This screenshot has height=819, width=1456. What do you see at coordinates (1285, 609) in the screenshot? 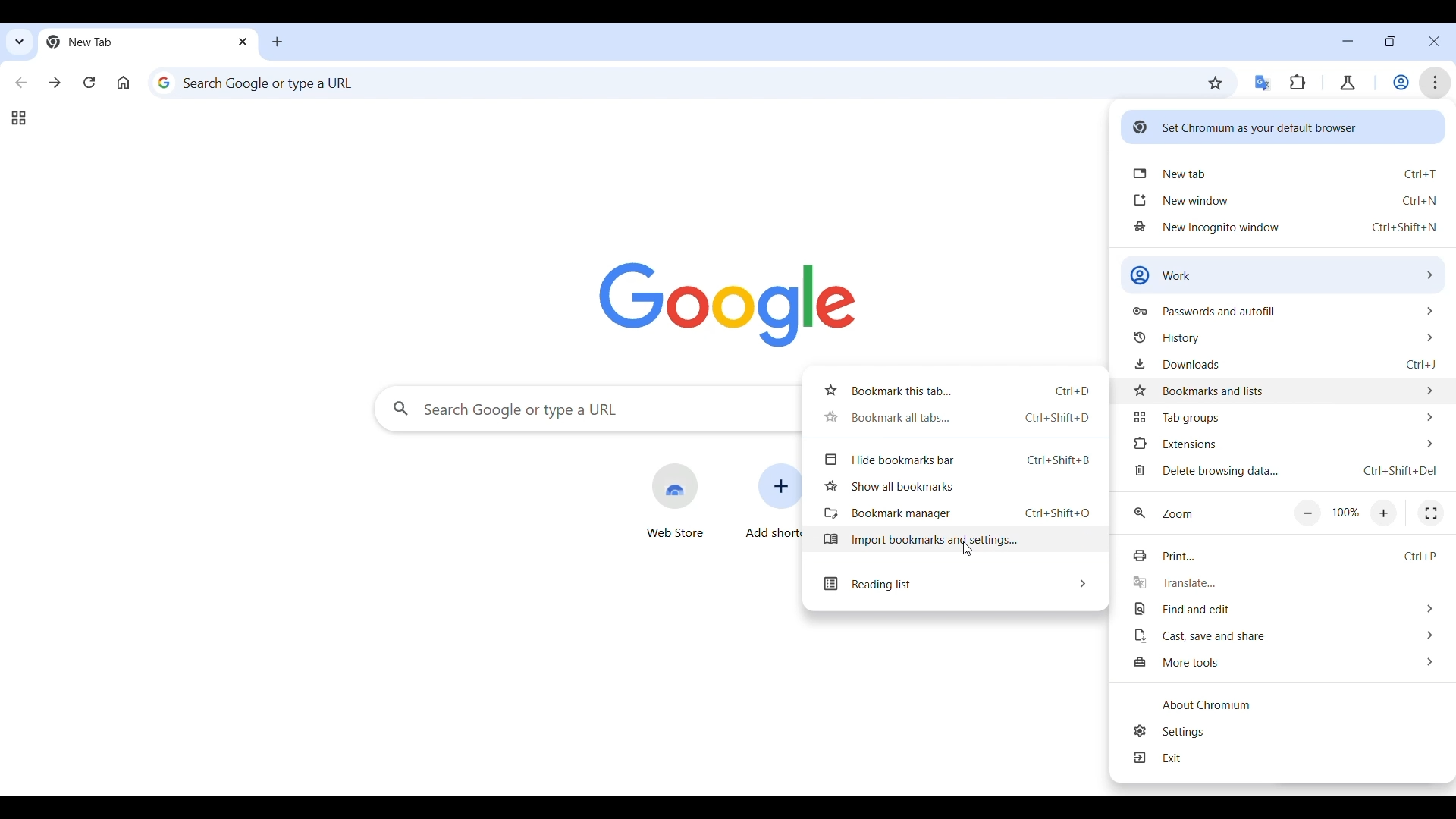
I see `Find and edit ` at bounding box center [1285, 609].